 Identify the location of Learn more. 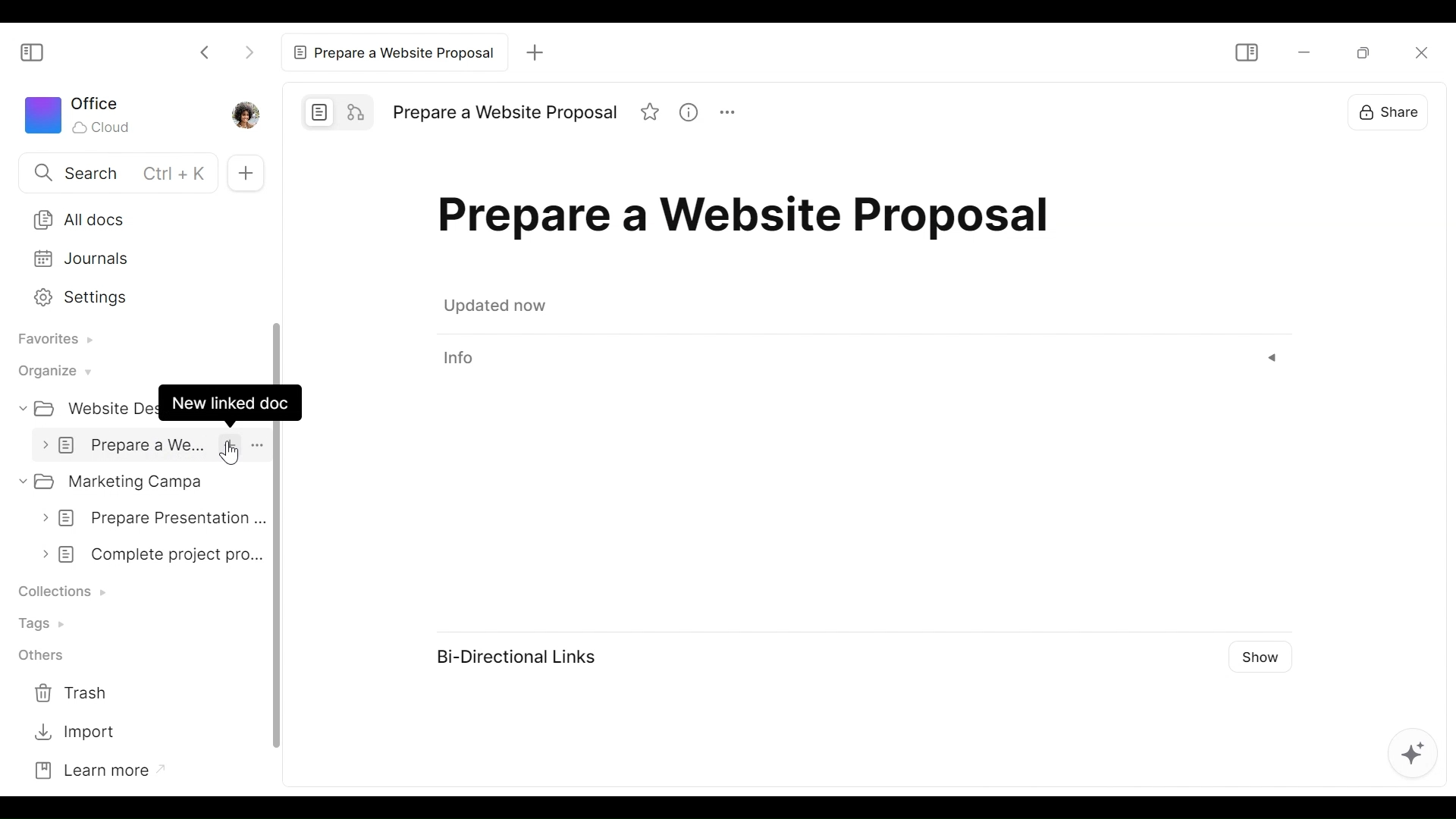
(89, 772).